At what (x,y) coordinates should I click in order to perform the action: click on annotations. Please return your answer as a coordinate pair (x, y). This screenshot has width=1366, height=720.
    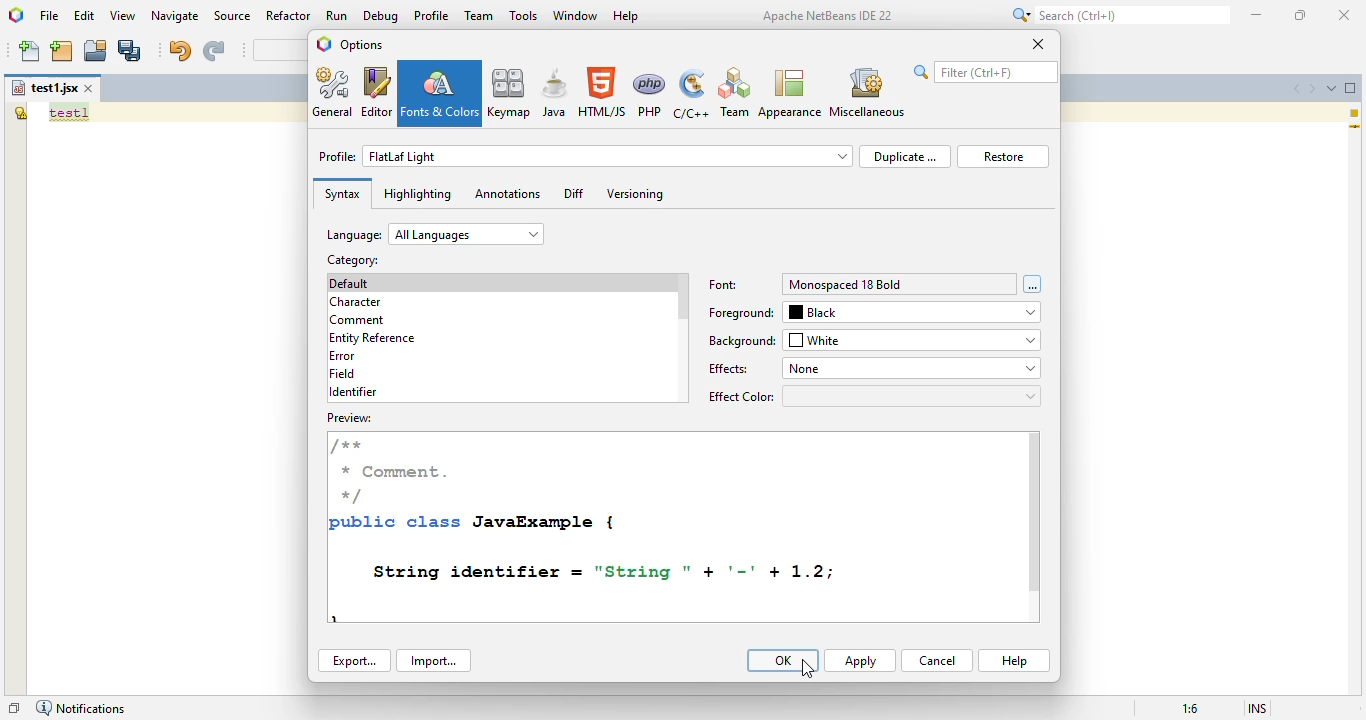
    Looking at the image, I should click on (507, 194).